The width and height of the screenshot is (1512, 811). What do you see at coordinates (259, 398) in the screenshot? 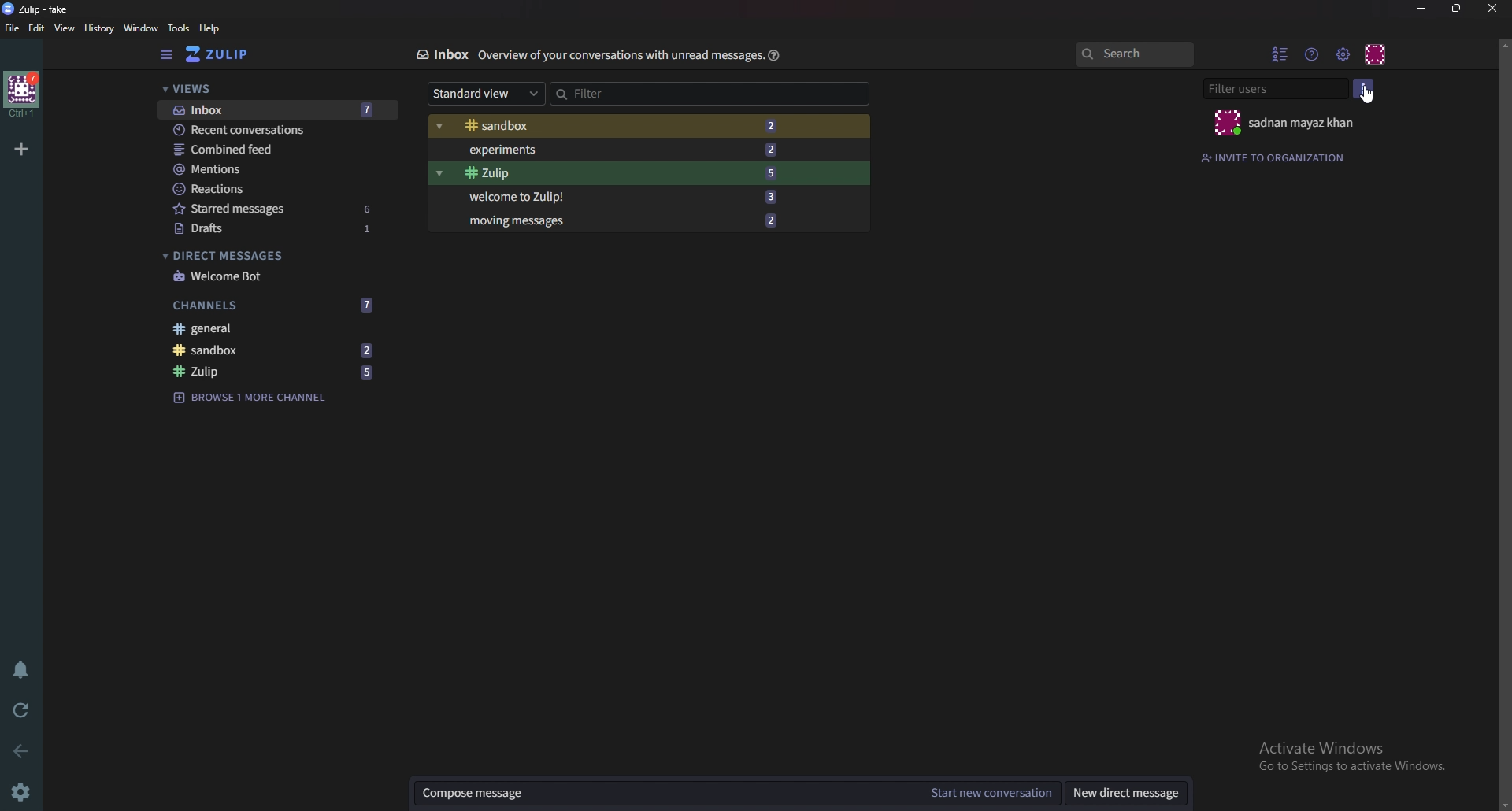
I see `Browse channel` at bounding box center [259, 398].